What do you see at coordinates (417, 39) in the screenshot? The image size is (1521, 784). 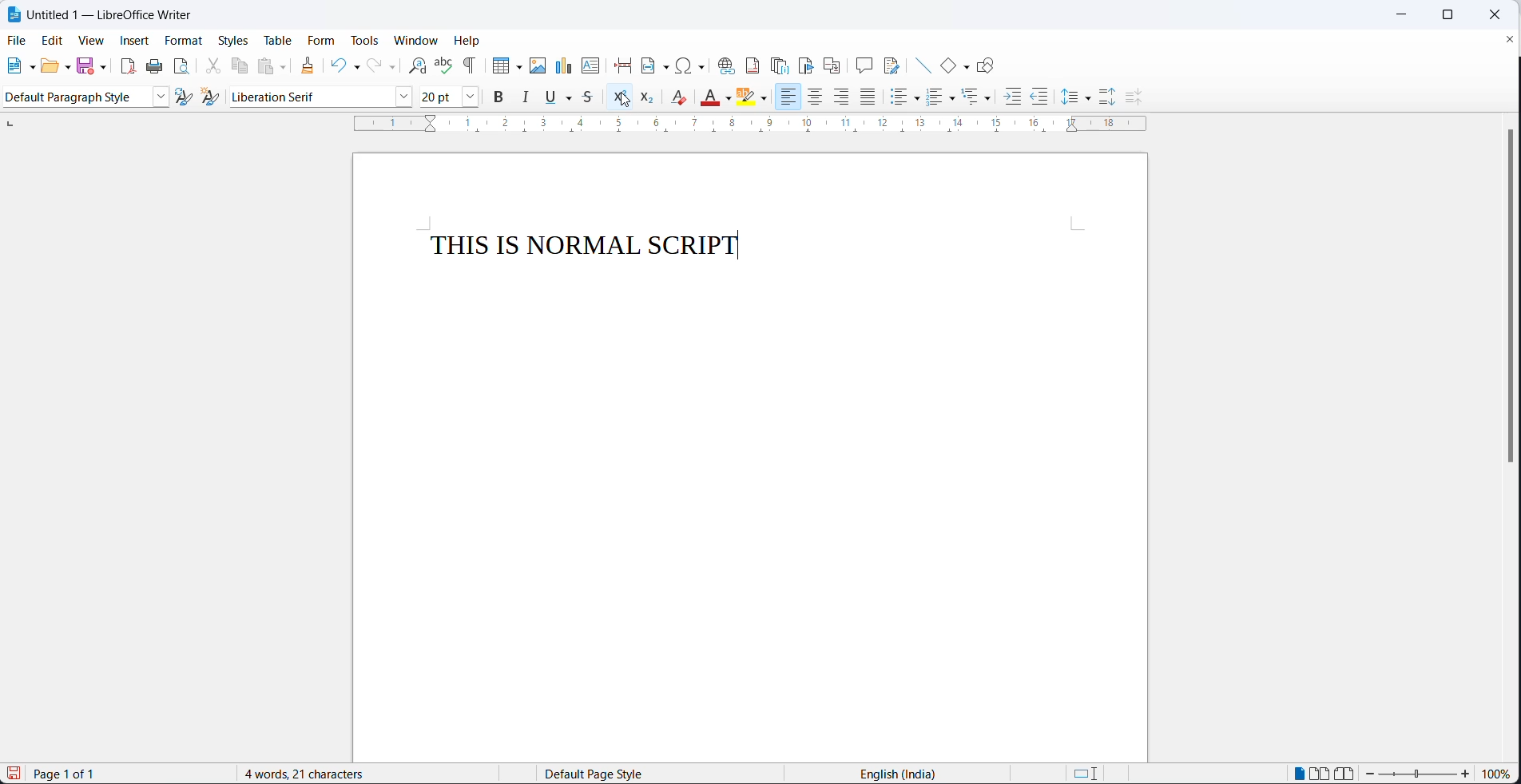 I see `window` at bounding box center [417, 39].